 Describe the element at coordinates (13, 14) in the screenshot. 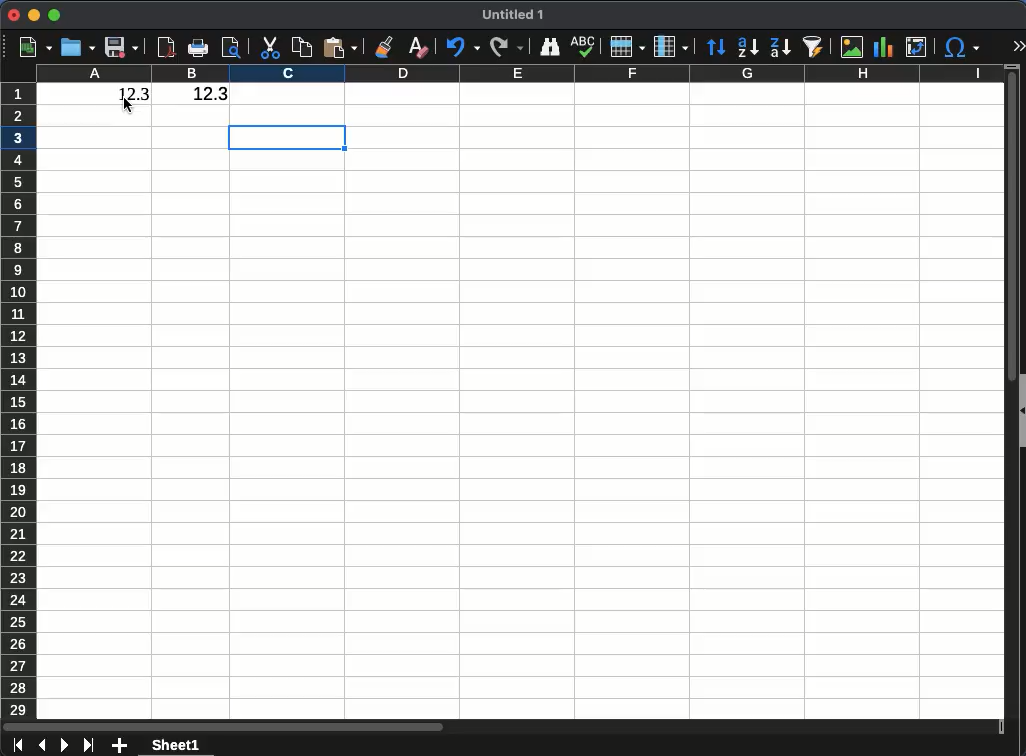

I see `close` at that location.